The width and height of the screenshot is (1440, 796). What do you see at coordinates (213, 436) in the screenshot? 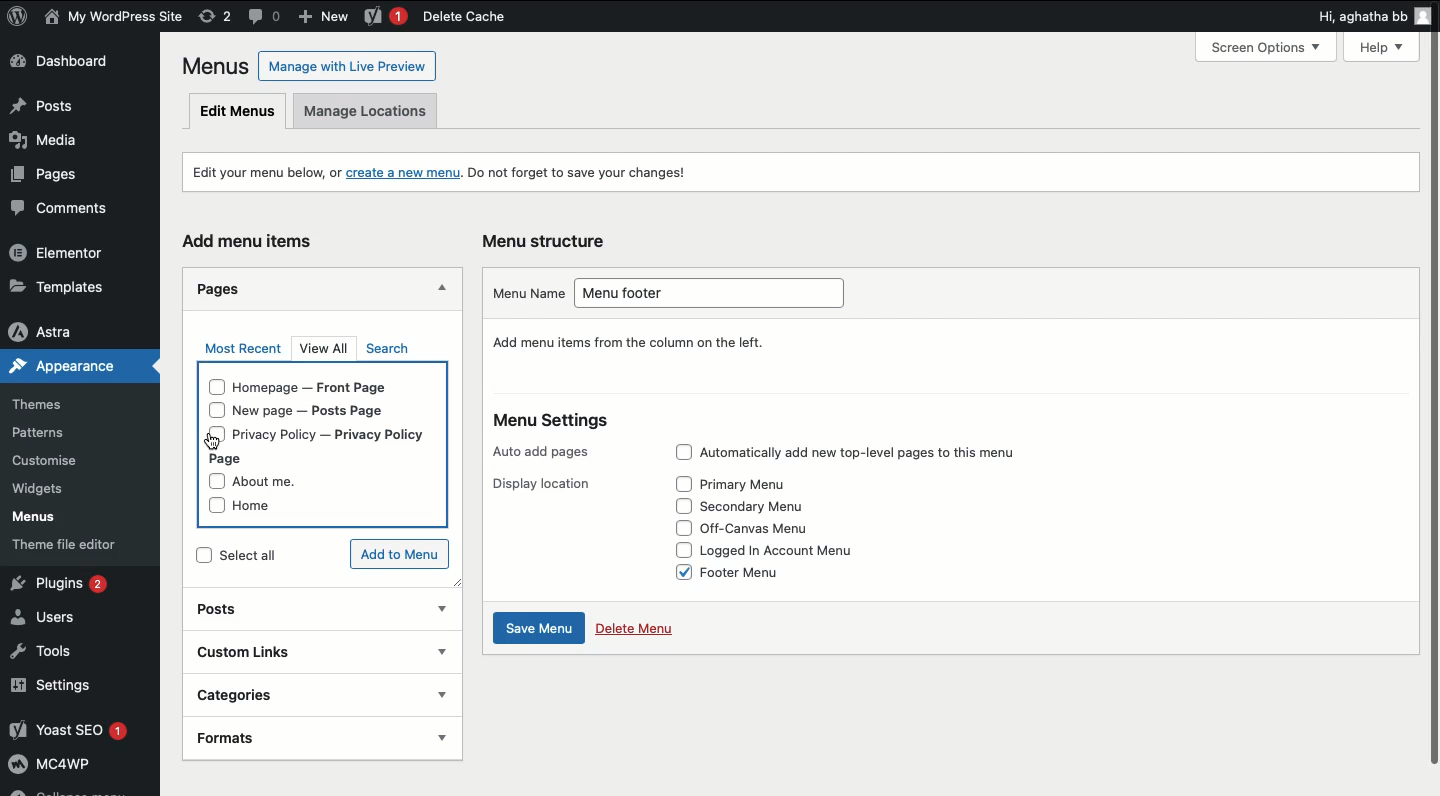
I see `checkbox` at bounding box center [213, 436].